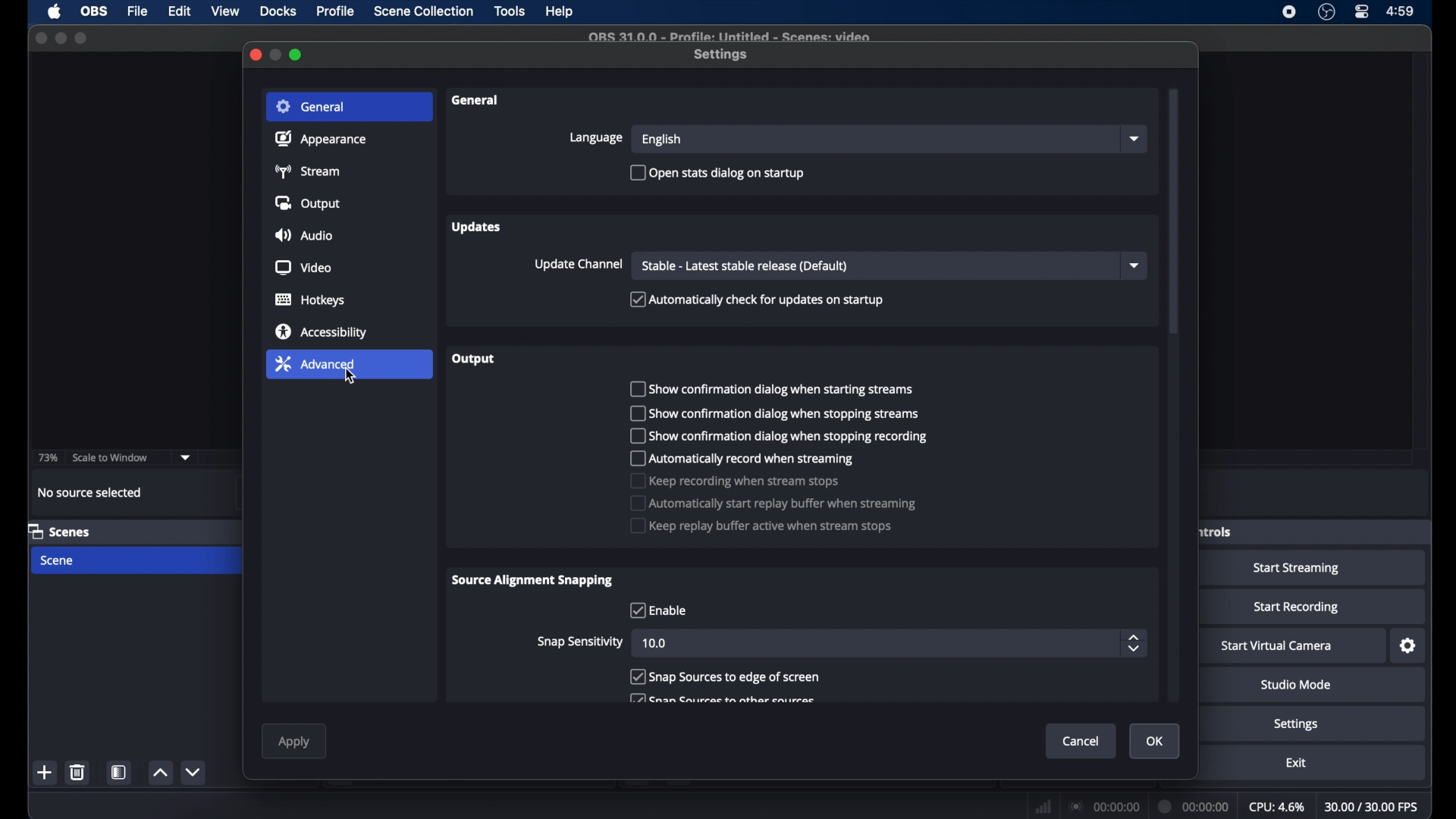 The image size is (1456, 819). What do you see at coordinates (194, 772) in the screenshot?
I see `decrement` at bounding box center [194, 772].